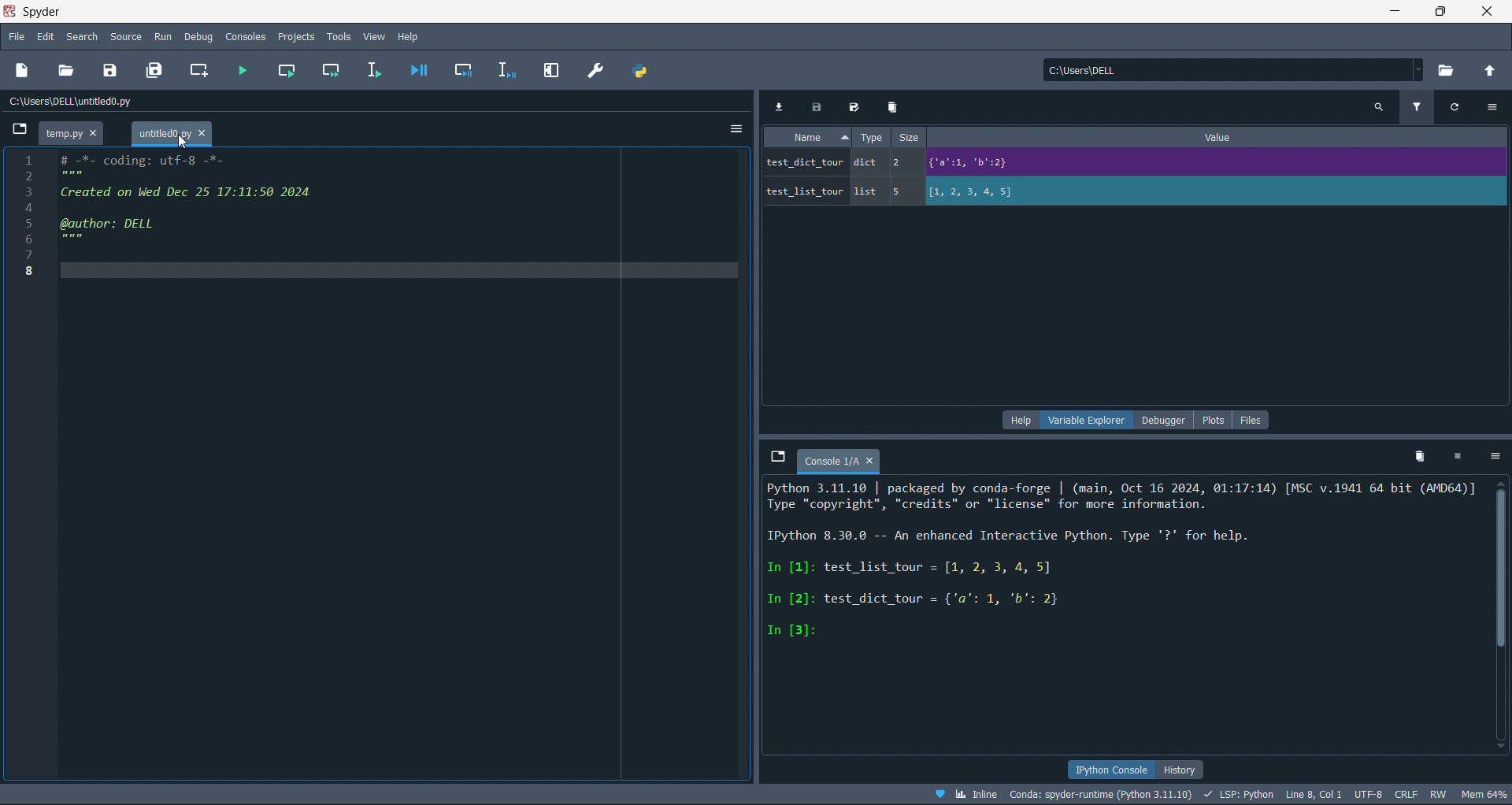  What do you see at coordinates (83, 104) in the screenshot?
I see `C:\Users\DELL\untitled0.py` at bounding box center [83, 104].